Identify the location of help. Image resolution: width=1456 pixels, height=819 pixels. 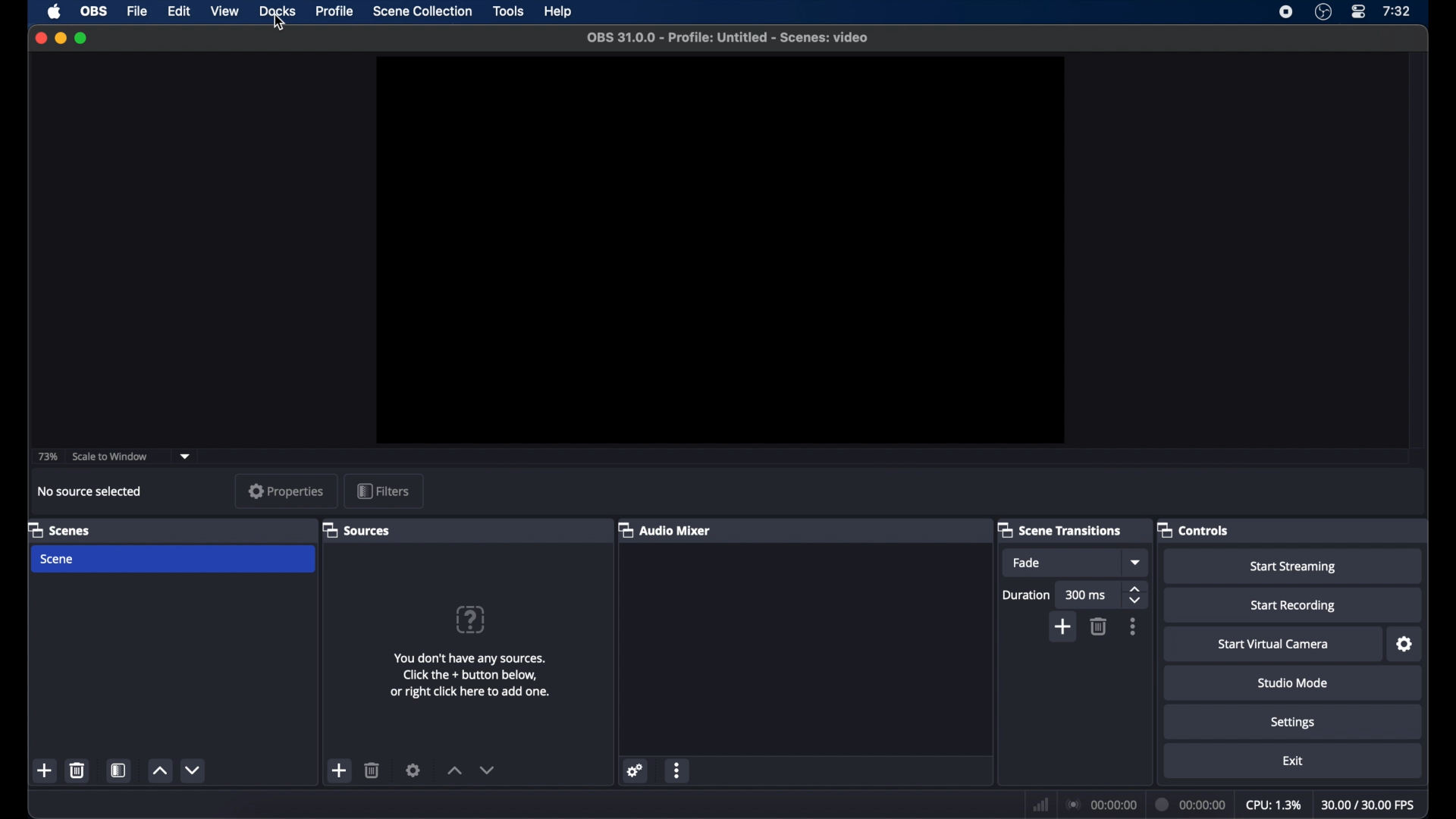
(559, 12).